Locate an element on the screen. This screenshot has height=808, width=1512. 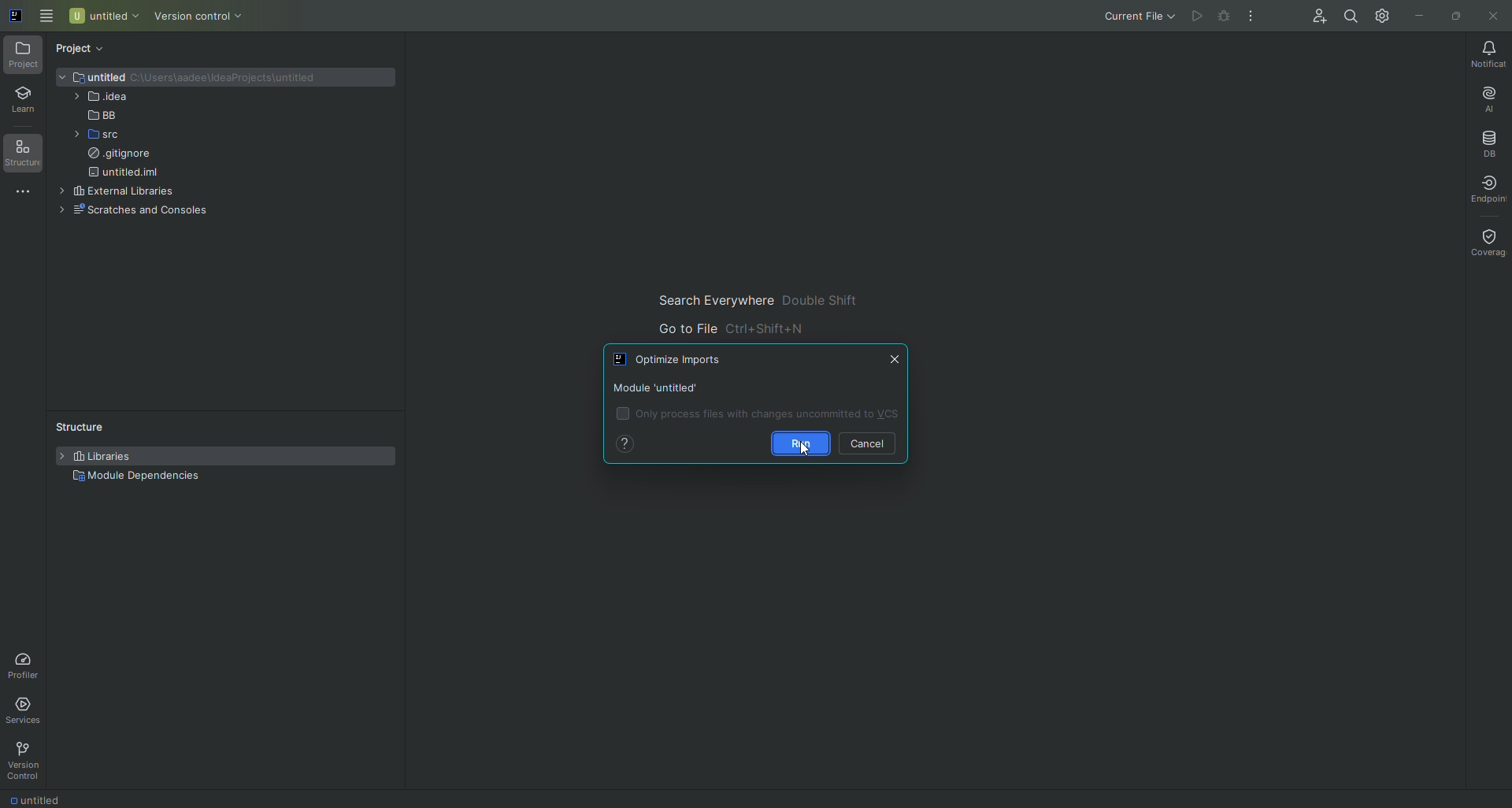
Restore is located at coordinates (1452, 14).